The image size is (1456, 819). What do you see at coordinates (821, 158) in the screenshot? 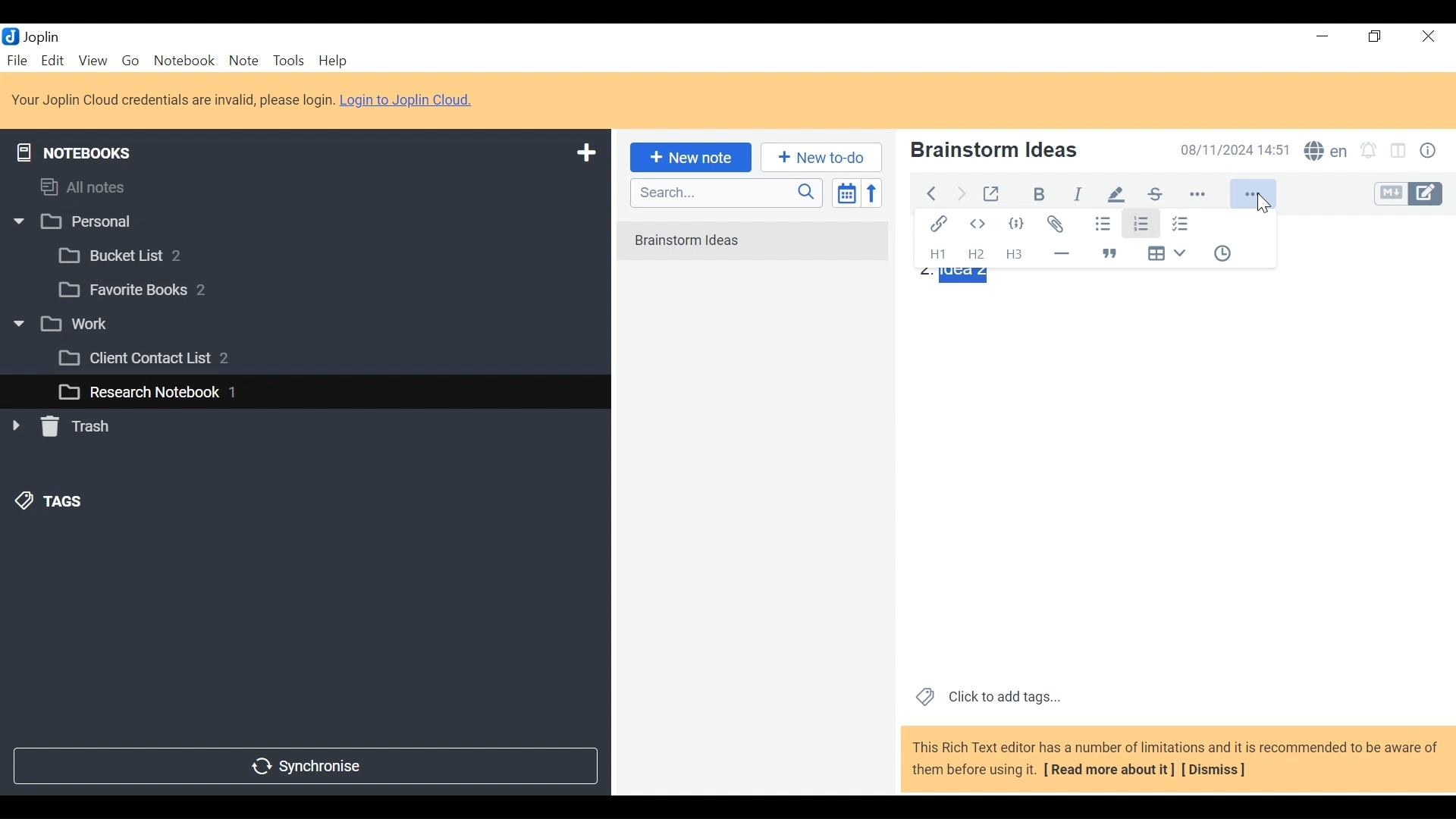
I see `Add New to Do` at bounding box center [821, 158].